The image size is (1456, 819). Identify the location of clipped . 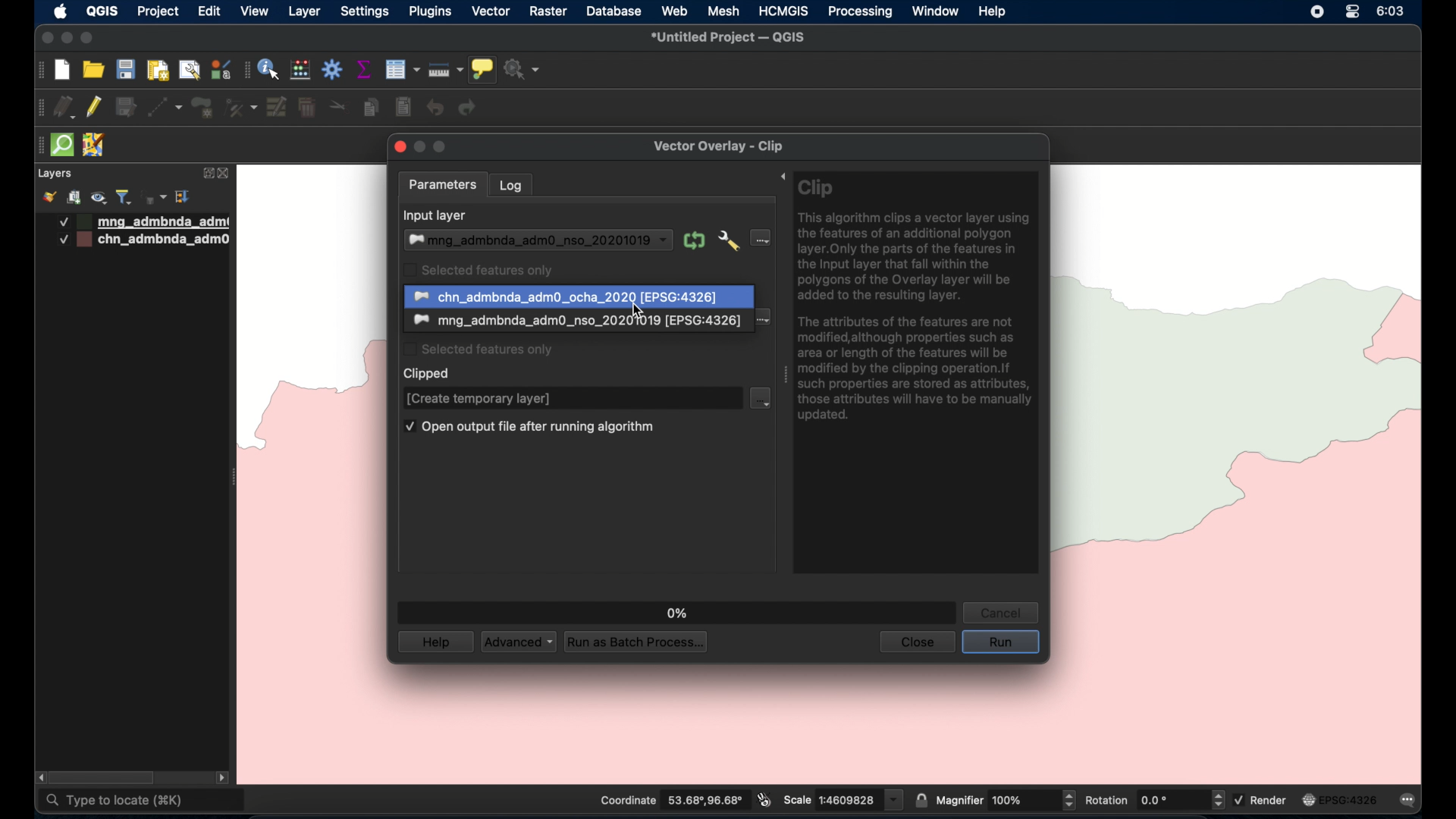
(428, 374).